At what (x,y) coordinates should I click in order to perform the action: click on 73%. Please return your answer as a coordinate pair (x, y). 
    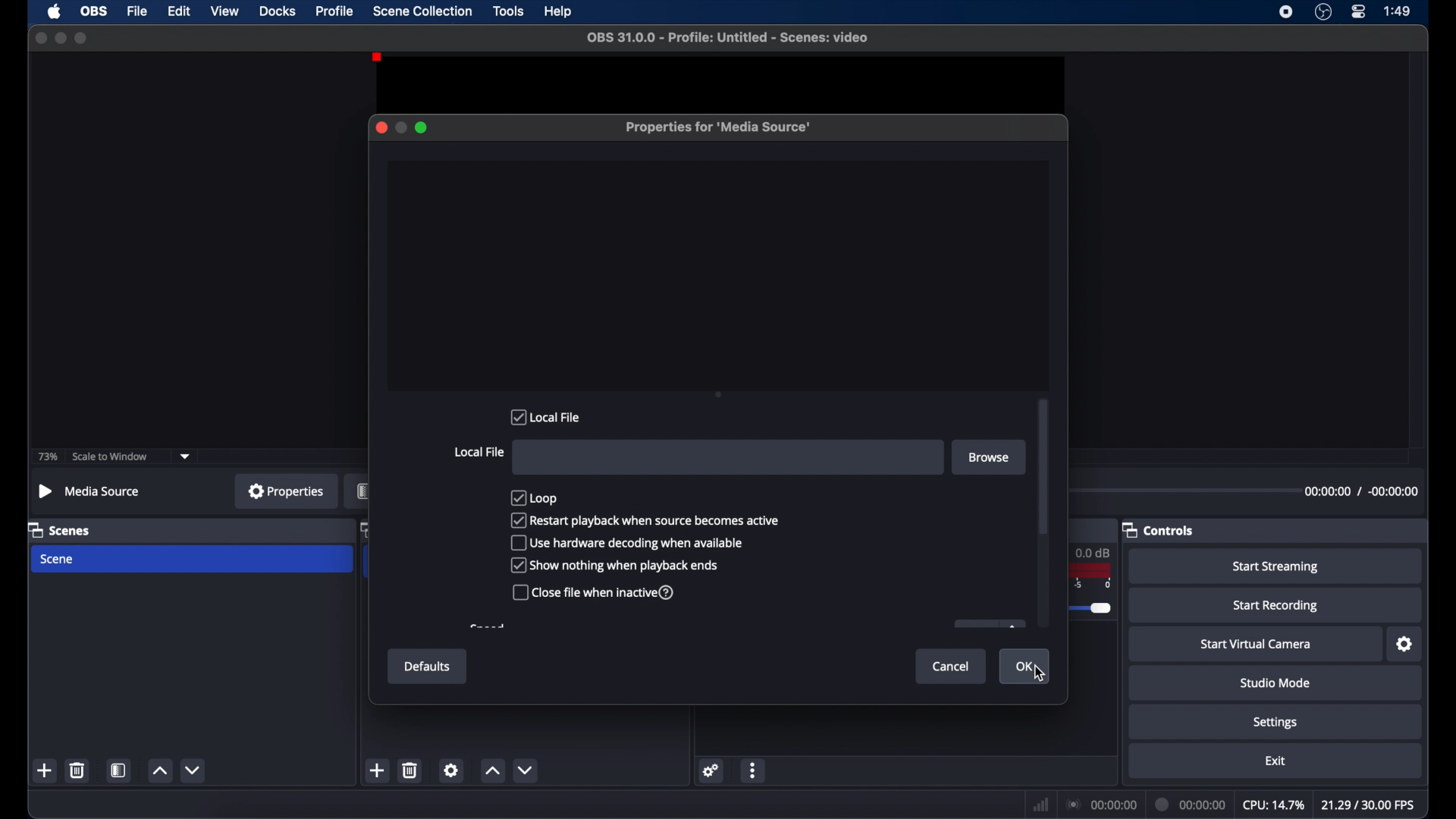
    Looking at the image, I should click on (47, 457).